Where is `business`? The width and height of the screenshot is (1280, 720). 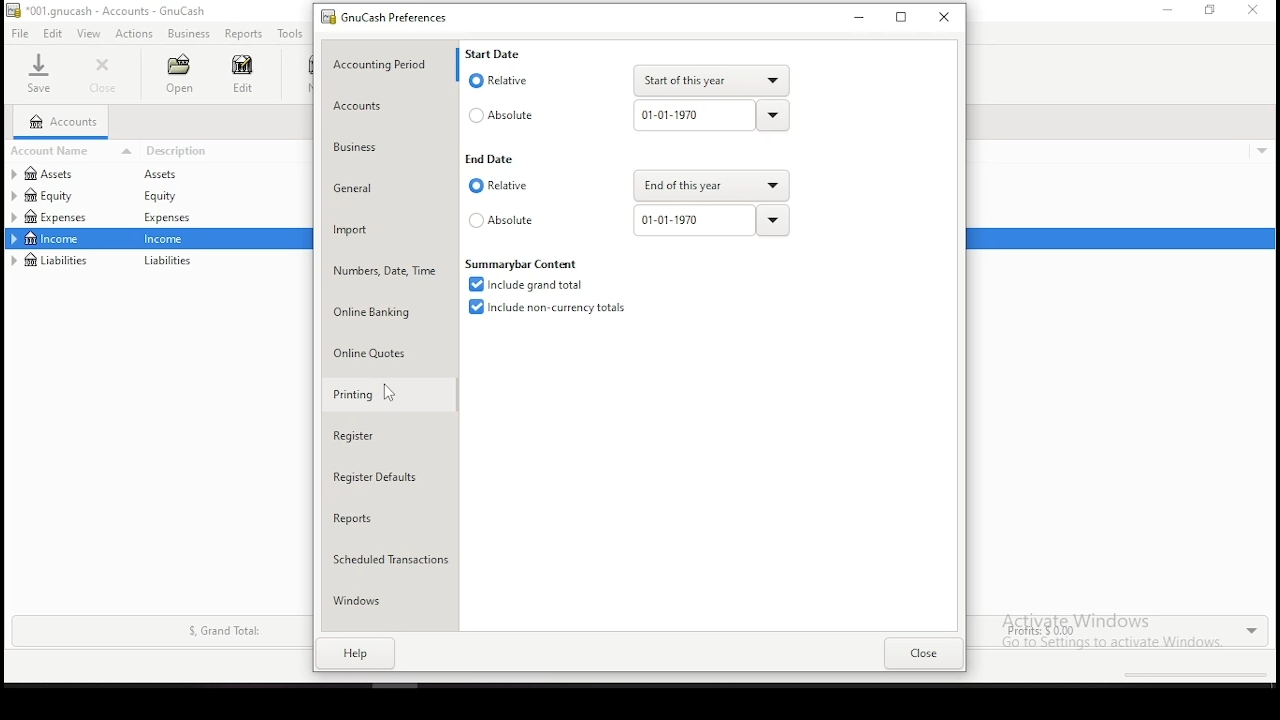 business is located at coordinates (189, 33).